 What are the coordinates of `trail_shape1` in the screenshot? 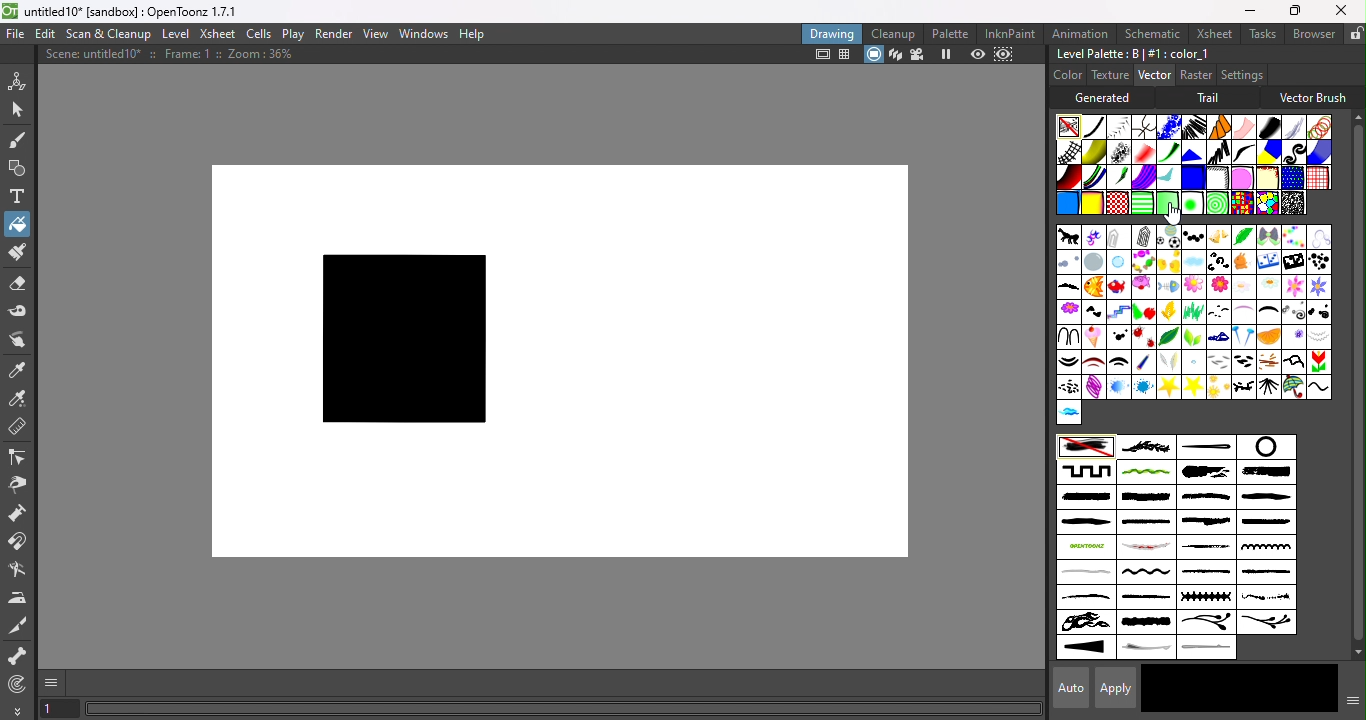 It's located at (1144, 649).